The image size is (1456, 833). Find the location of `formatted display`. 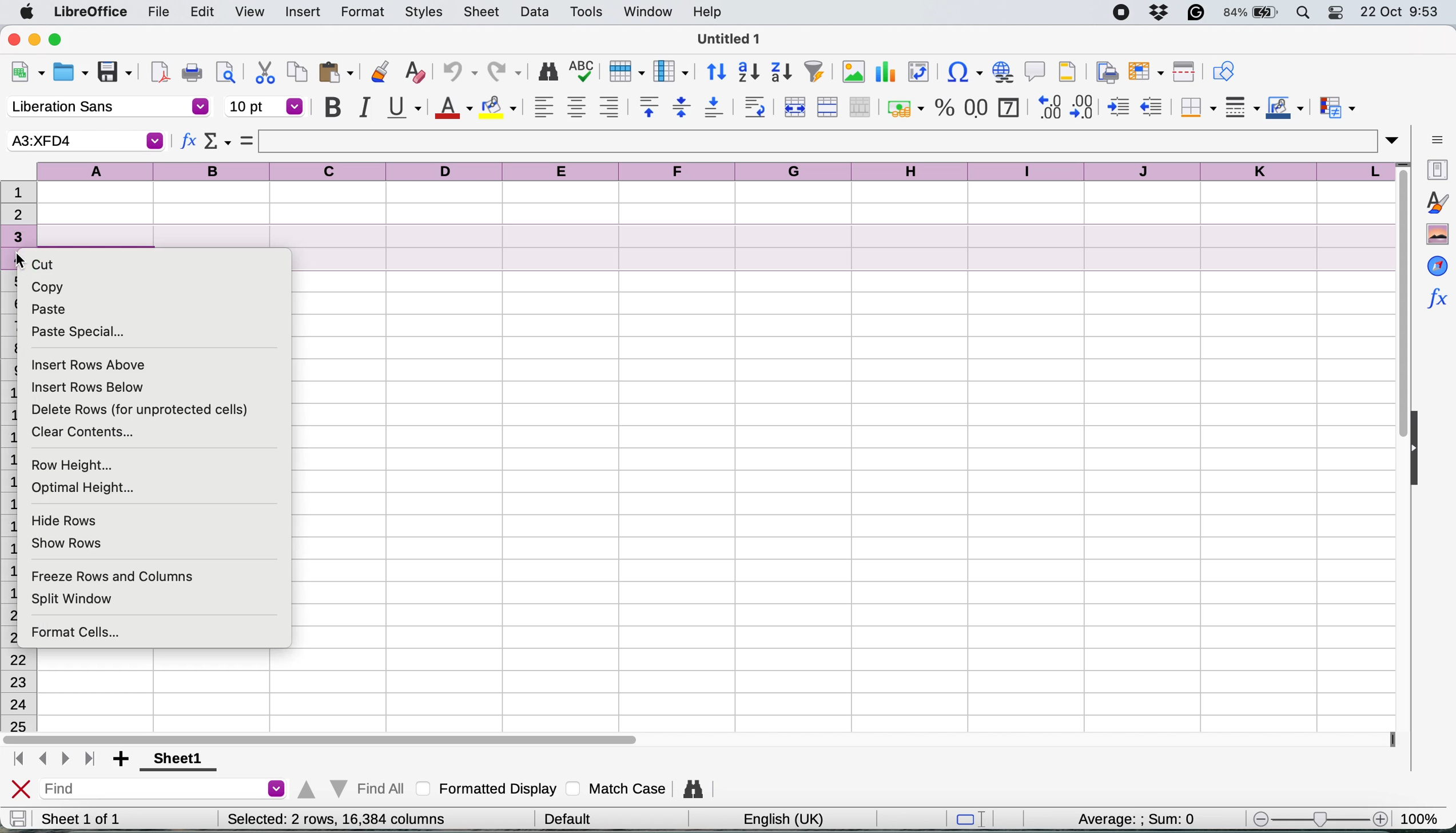

formatted display is located at coordinates (489, 787).